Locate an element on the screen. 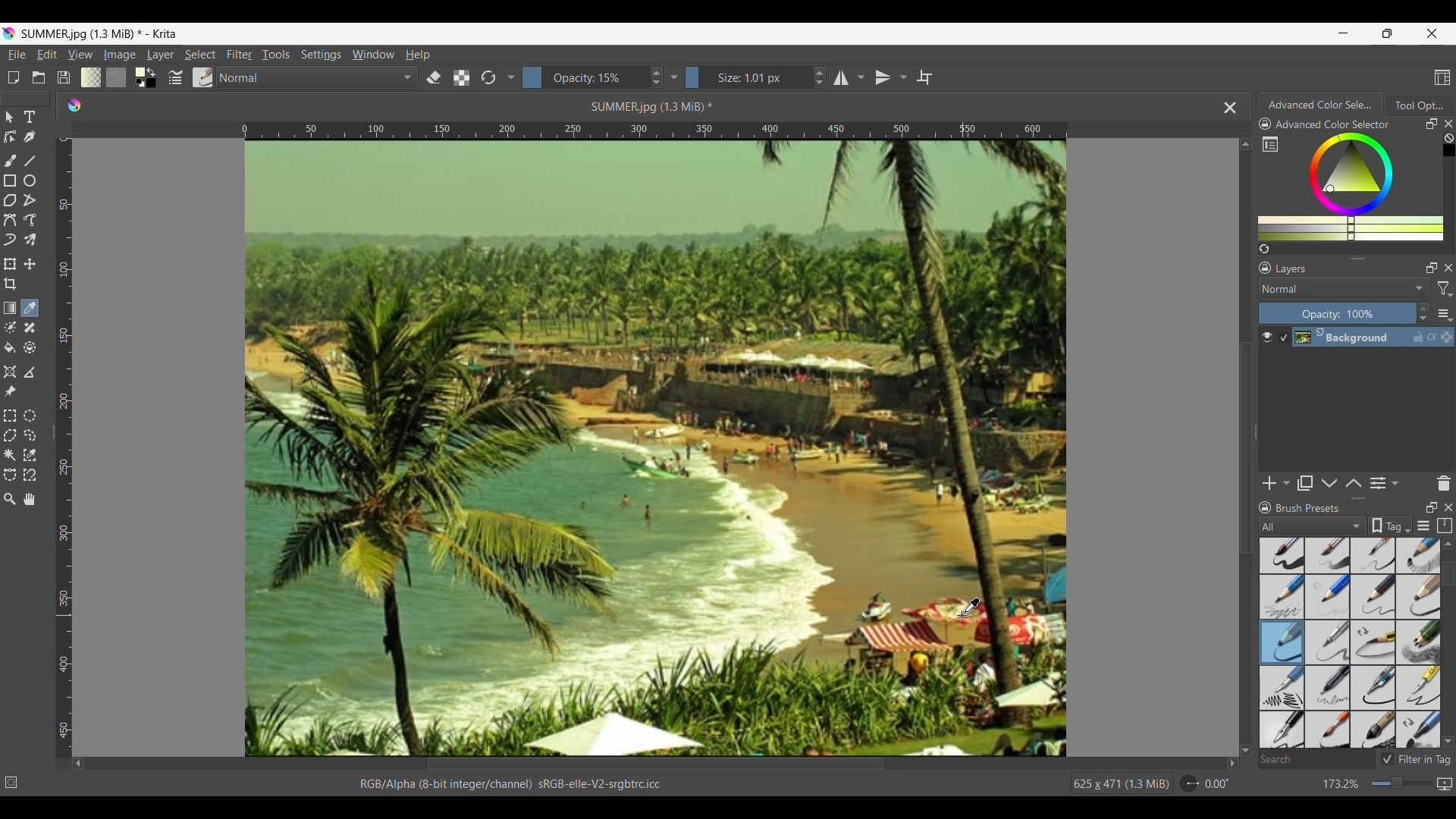 The width and height of the screenshot is (1456, 819). Magnetic curve selection tool is located at coordinates (29, 475).